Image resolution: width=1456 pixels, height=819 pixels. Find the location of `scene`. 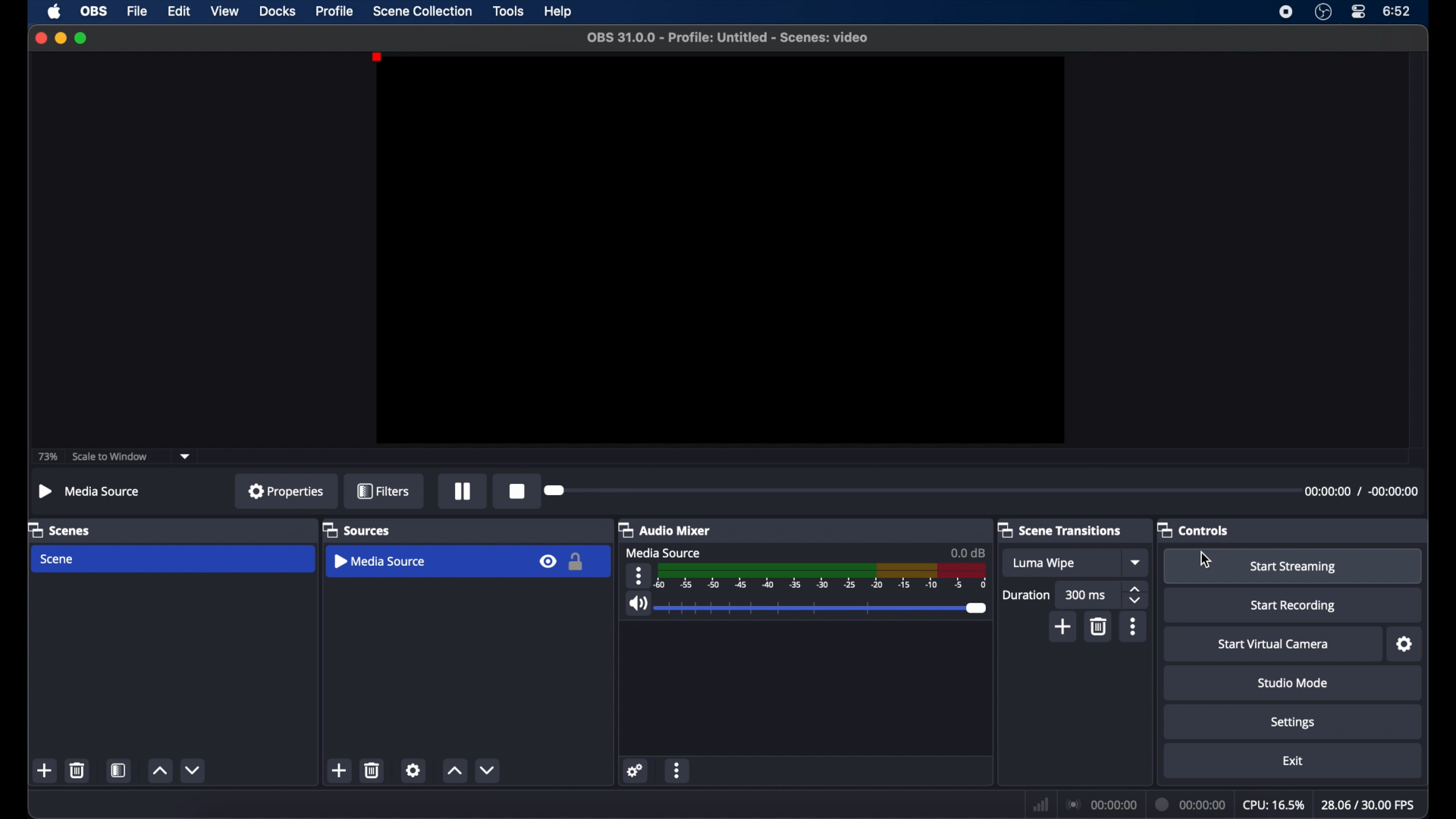

scene is located at coordinates (58, 559).